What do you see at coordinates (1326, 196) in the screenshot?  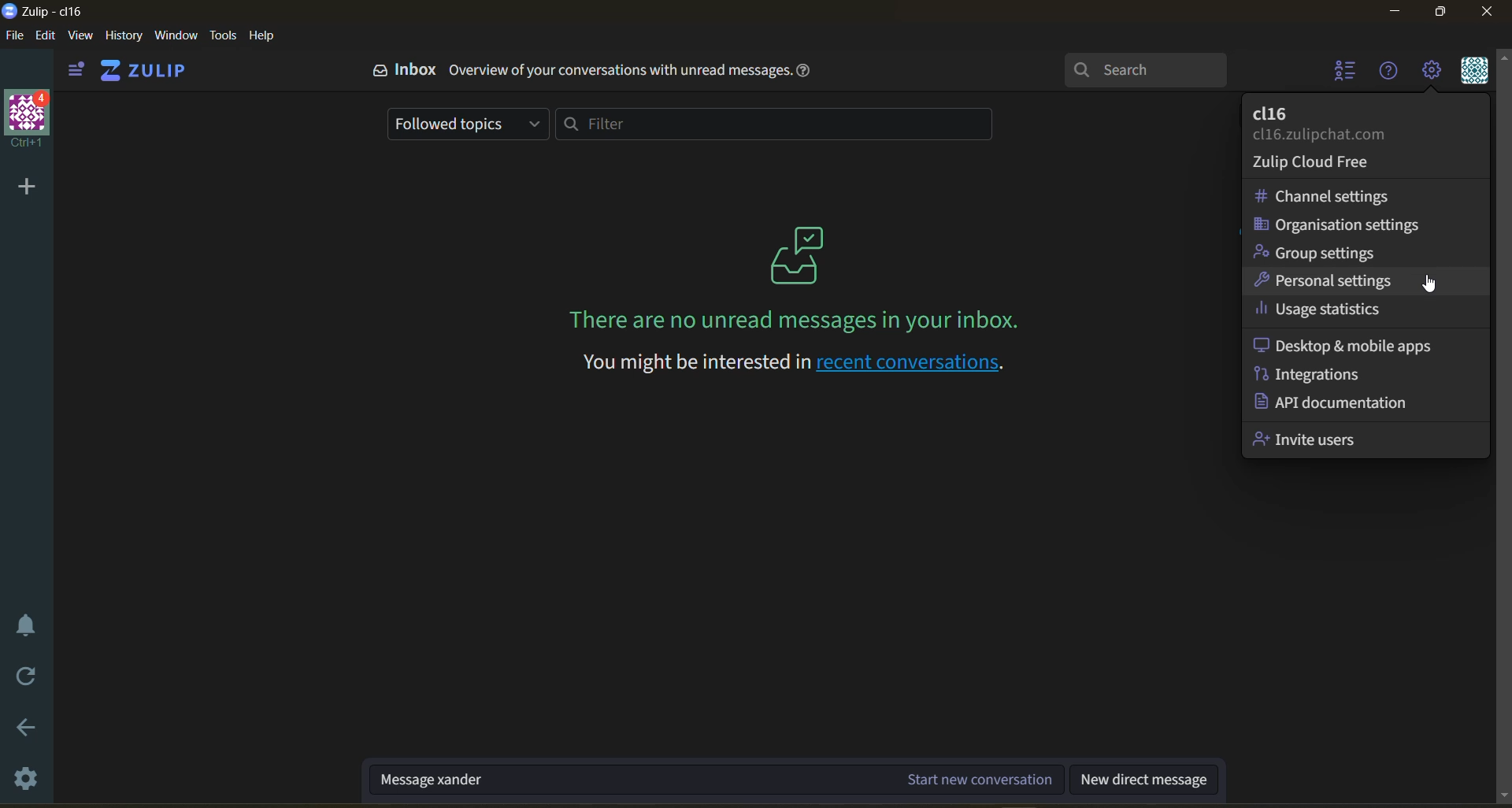 I see `channel settings` at bounding box center [1326, 196].